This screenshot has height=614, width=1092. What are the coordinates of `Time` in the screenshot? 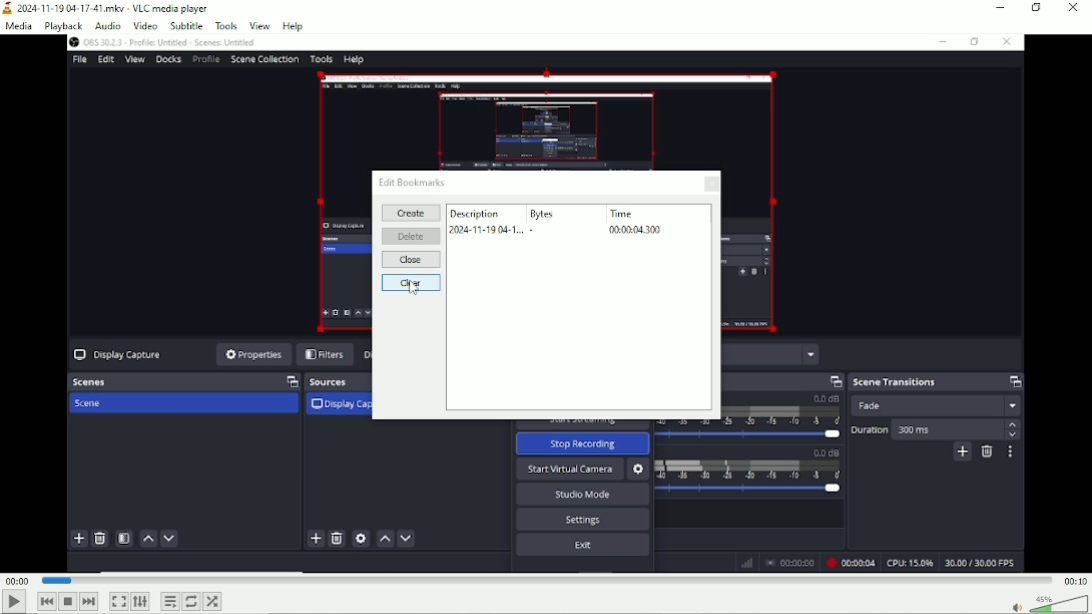 It's located at (635, 221).